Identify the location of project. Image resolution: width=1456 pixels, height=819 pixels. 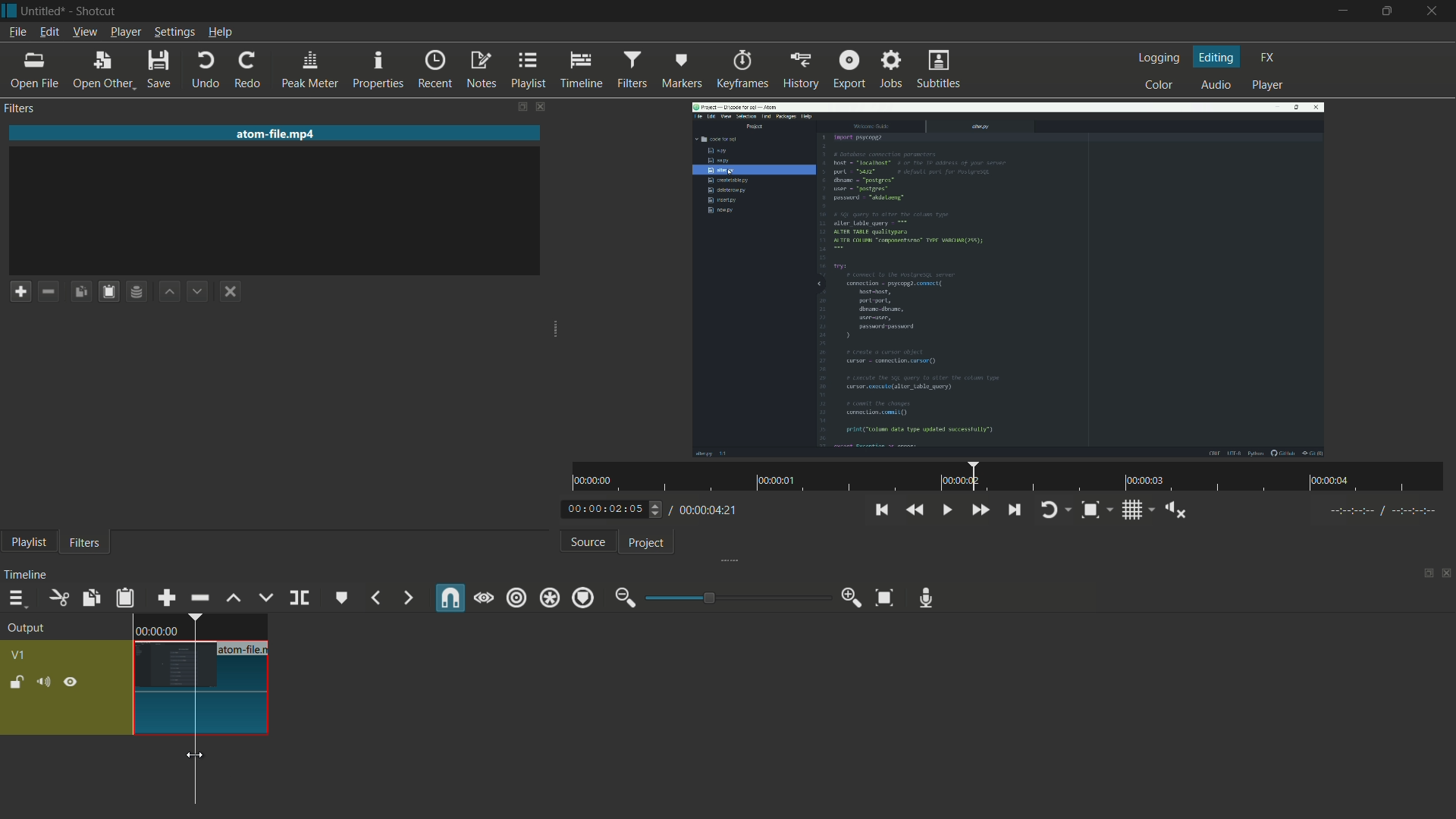
(645, 544).